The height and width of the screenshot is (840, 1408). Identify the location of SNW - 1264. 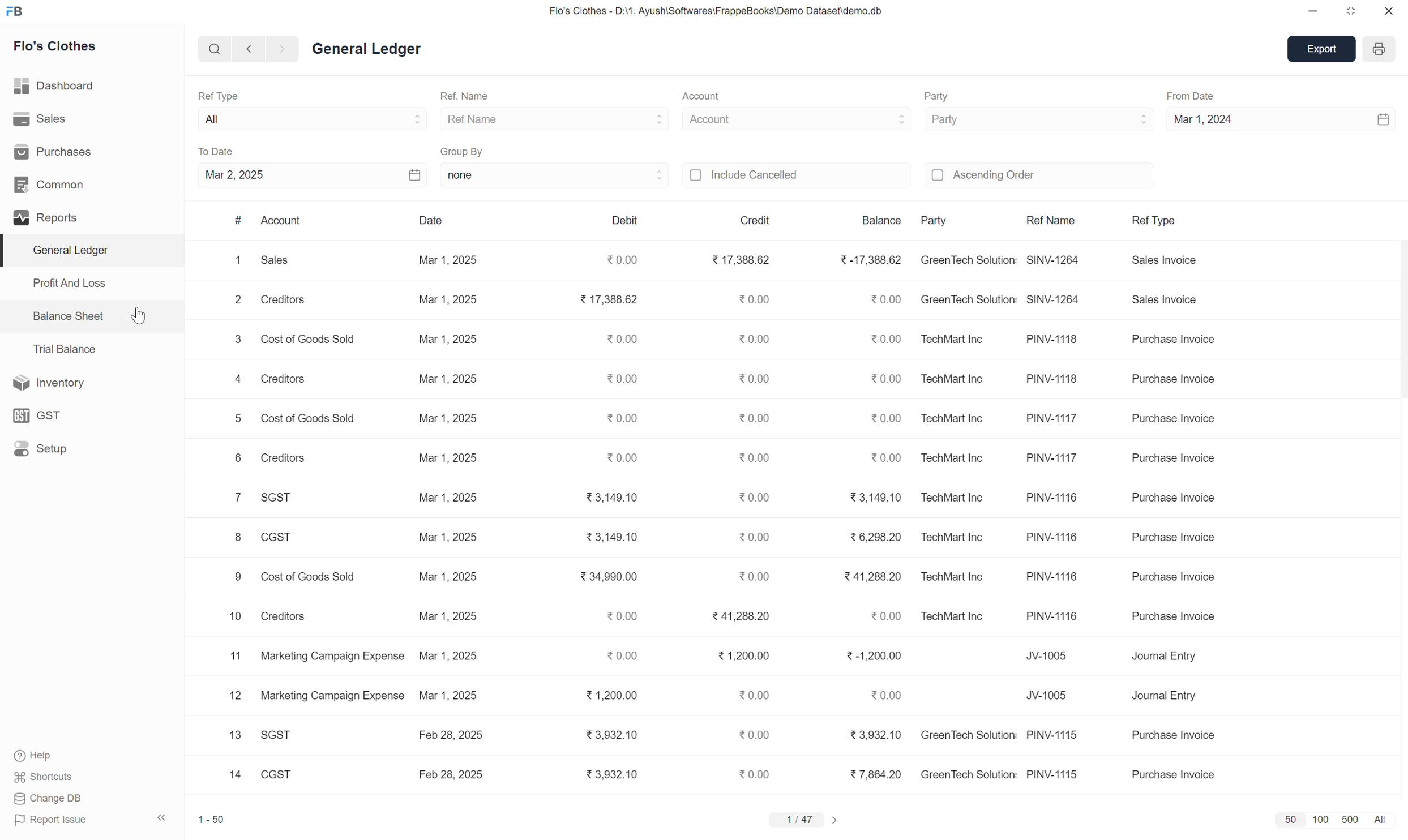
(1056, 298).